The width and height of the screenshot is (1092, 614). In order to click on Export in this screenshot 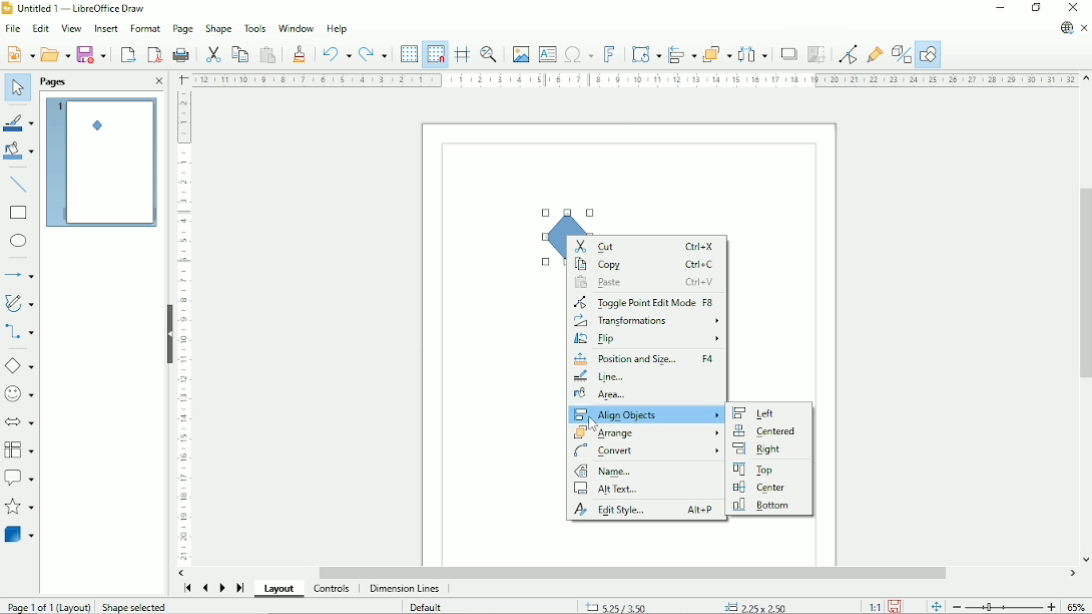, I will do `click(127, 54)`.